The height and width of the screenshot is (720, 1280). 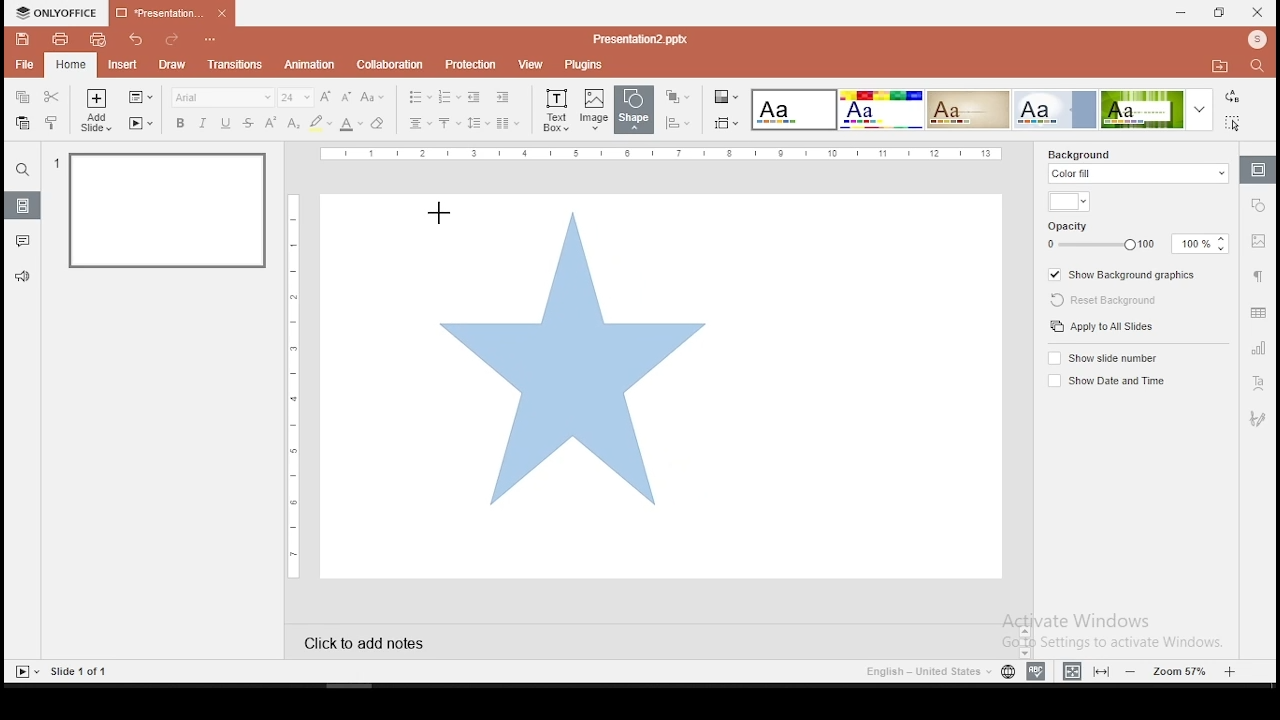 I want to click on show date and time, so click(x=1104, y=381).